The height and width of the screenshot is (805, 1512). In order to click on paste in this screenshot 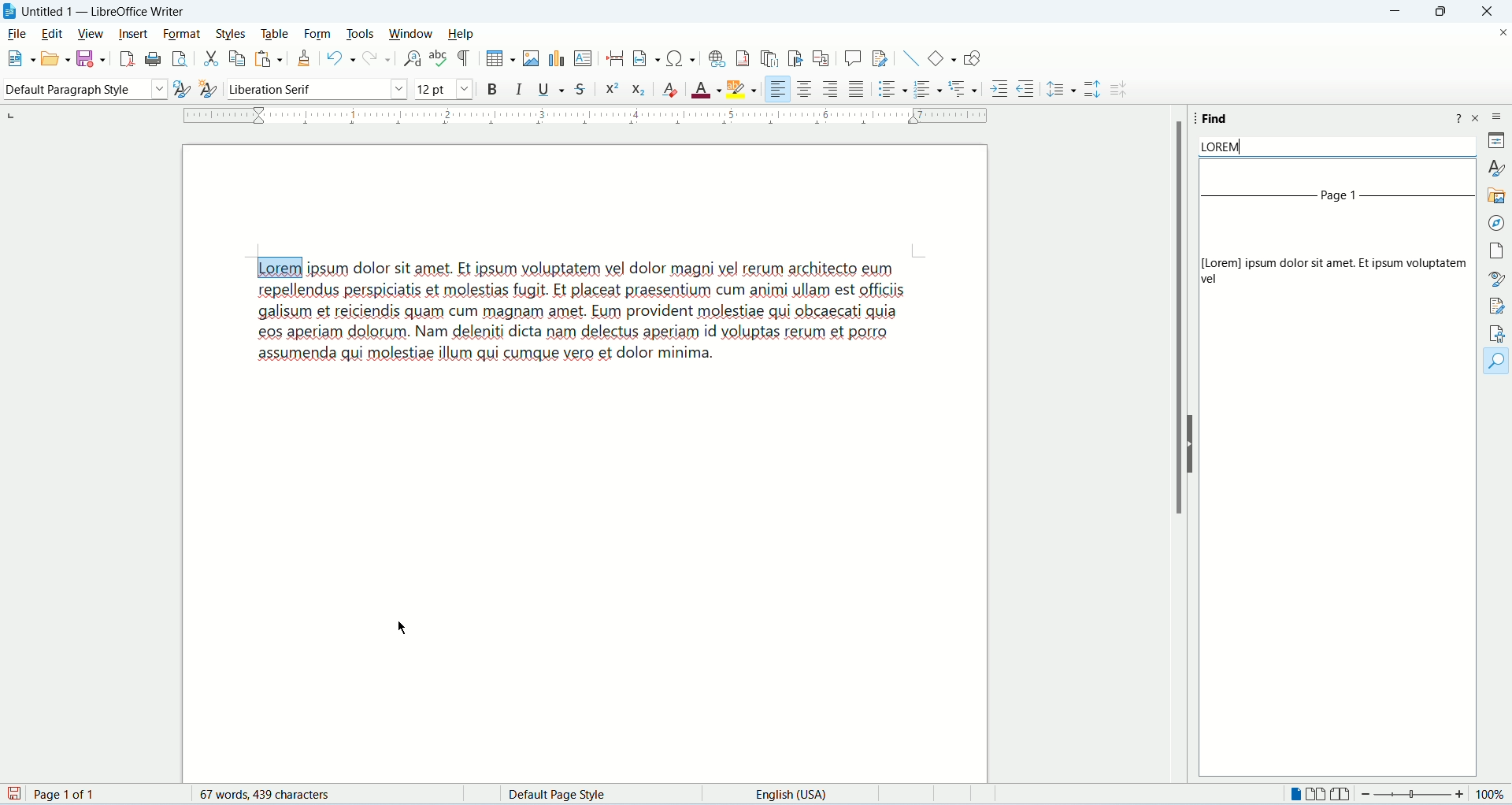, I will do `click(267, 58)`.